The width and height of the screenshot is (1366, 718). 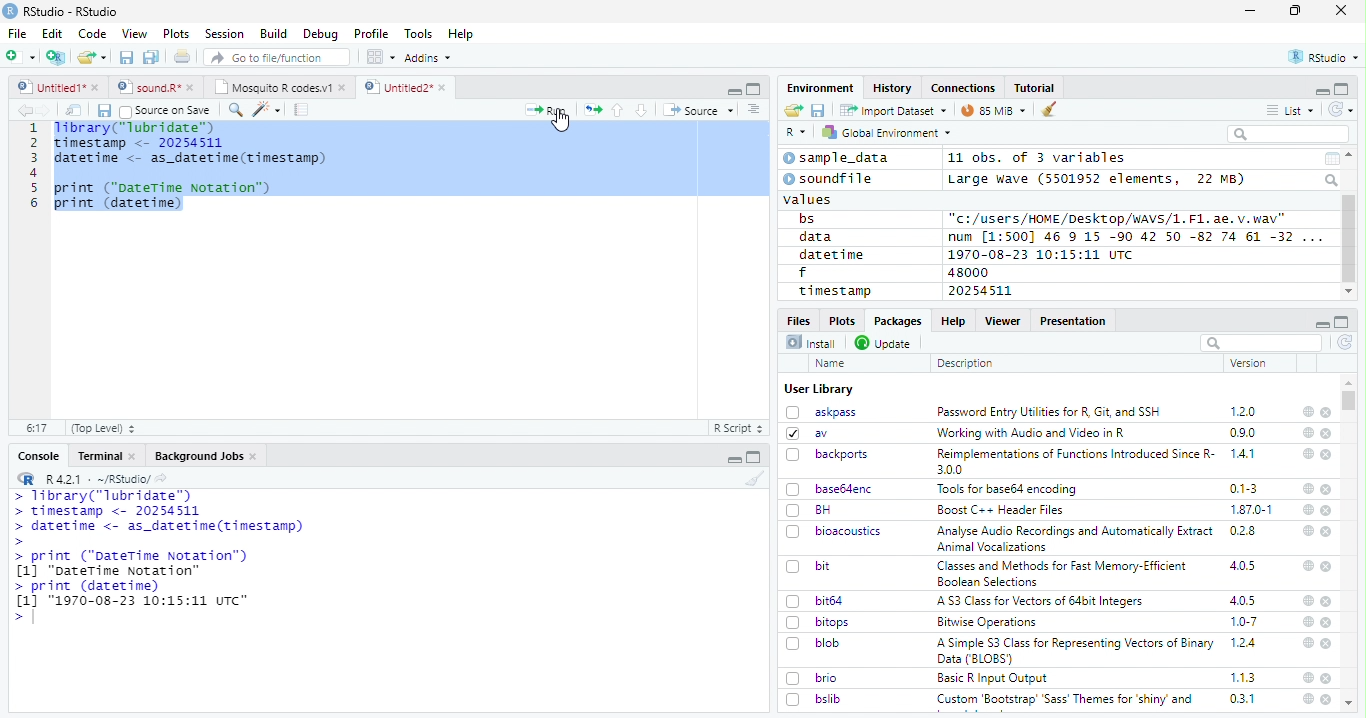 I want to click on Edit, so click(x=52, y=33).